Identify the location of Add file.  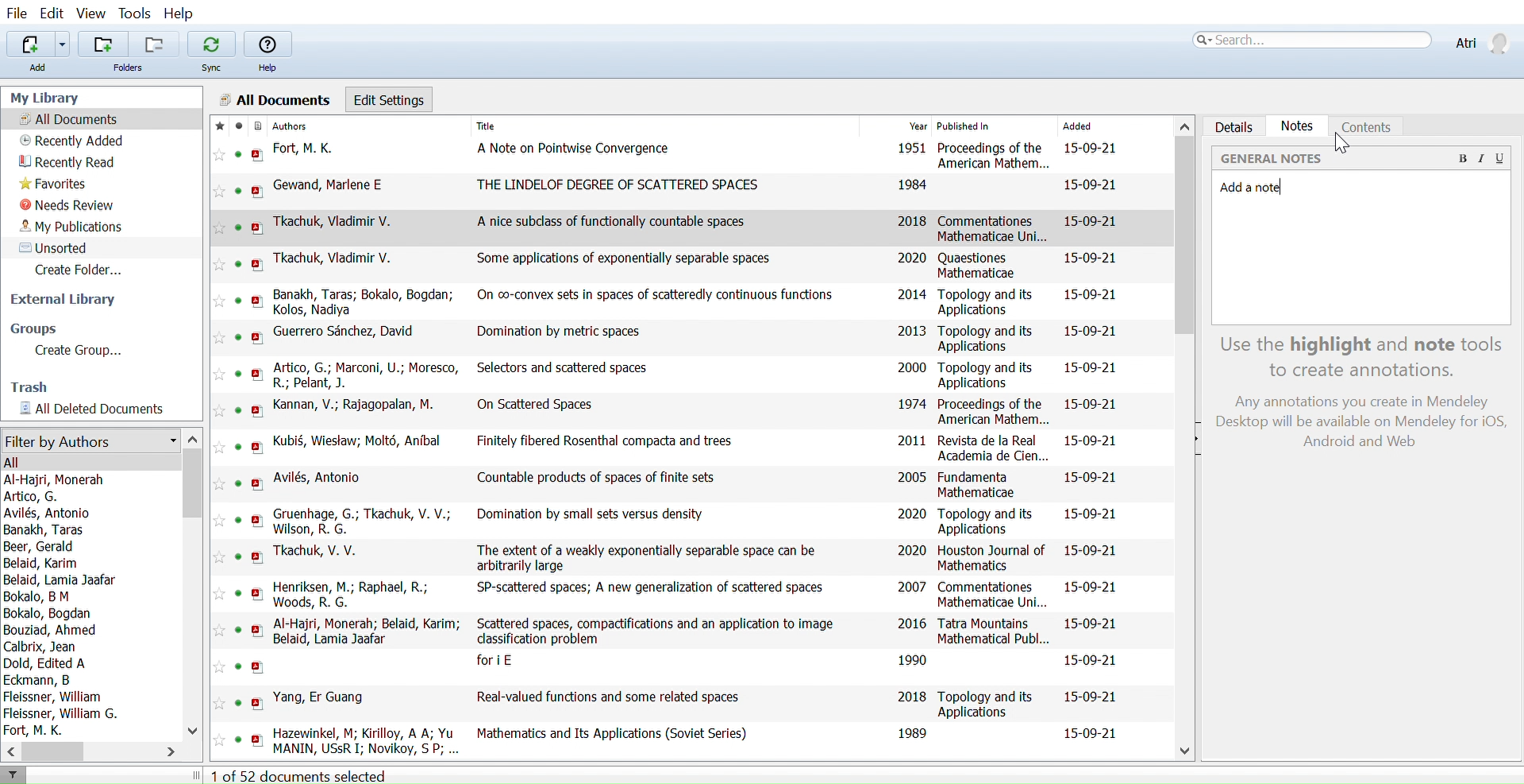
(30, 44).